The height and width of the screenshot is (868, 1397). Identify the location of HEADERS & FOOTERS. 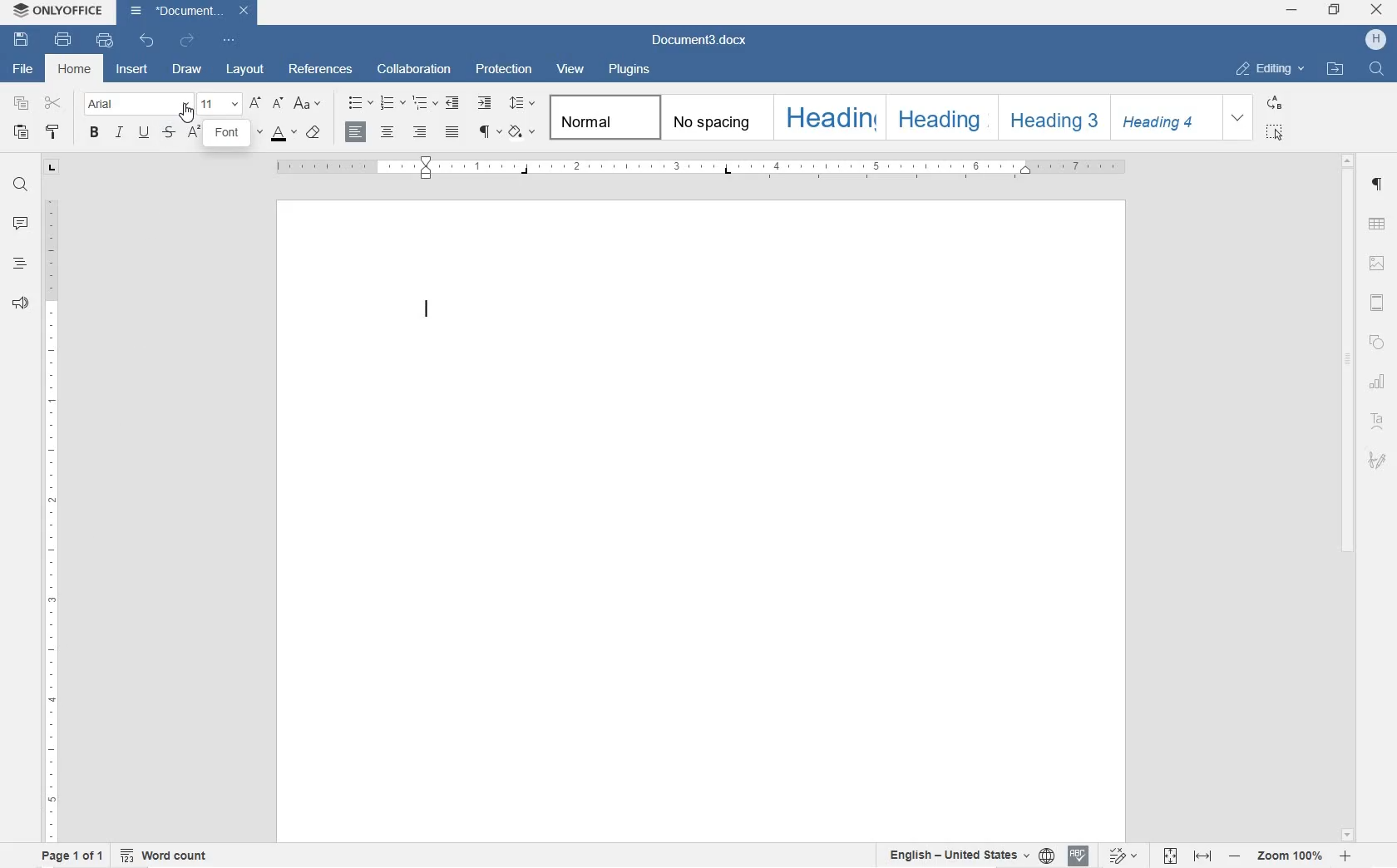
(1377, 306).